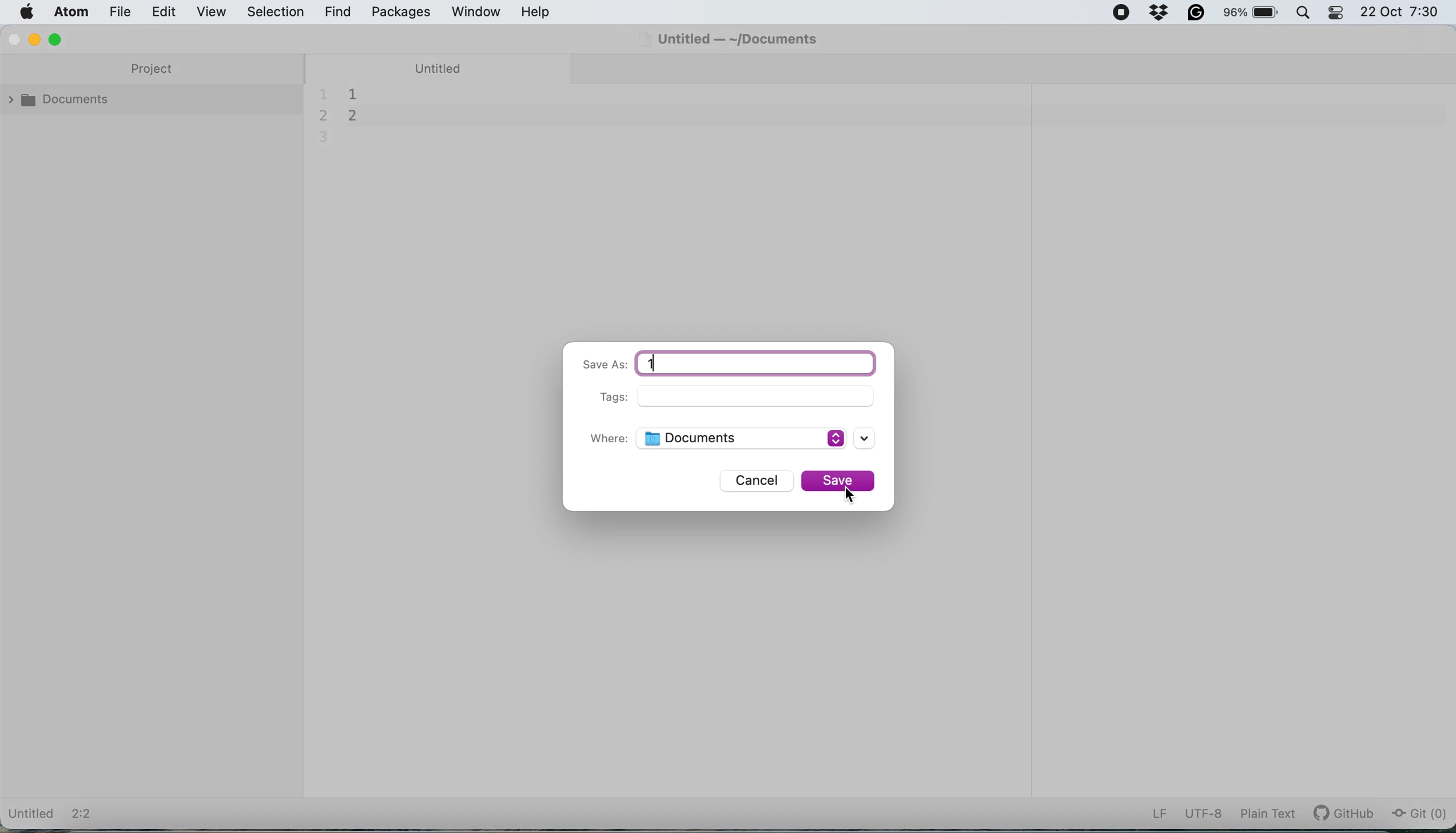  Describe the element at coordinates (27, 14) in the screenshot. I see `system logo` at that location.